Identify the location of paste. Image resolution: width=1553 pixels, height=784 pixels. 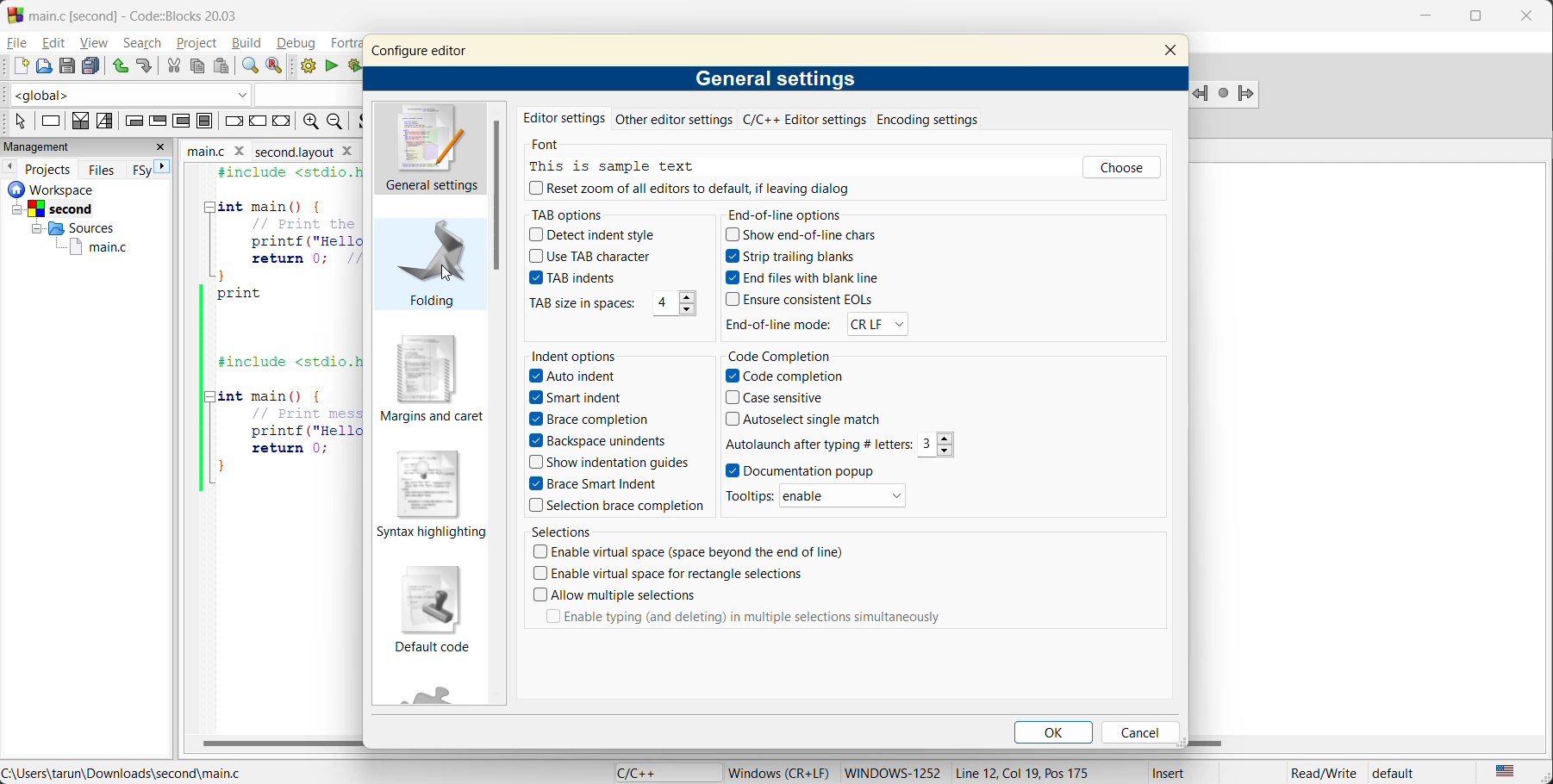
(221, 66).